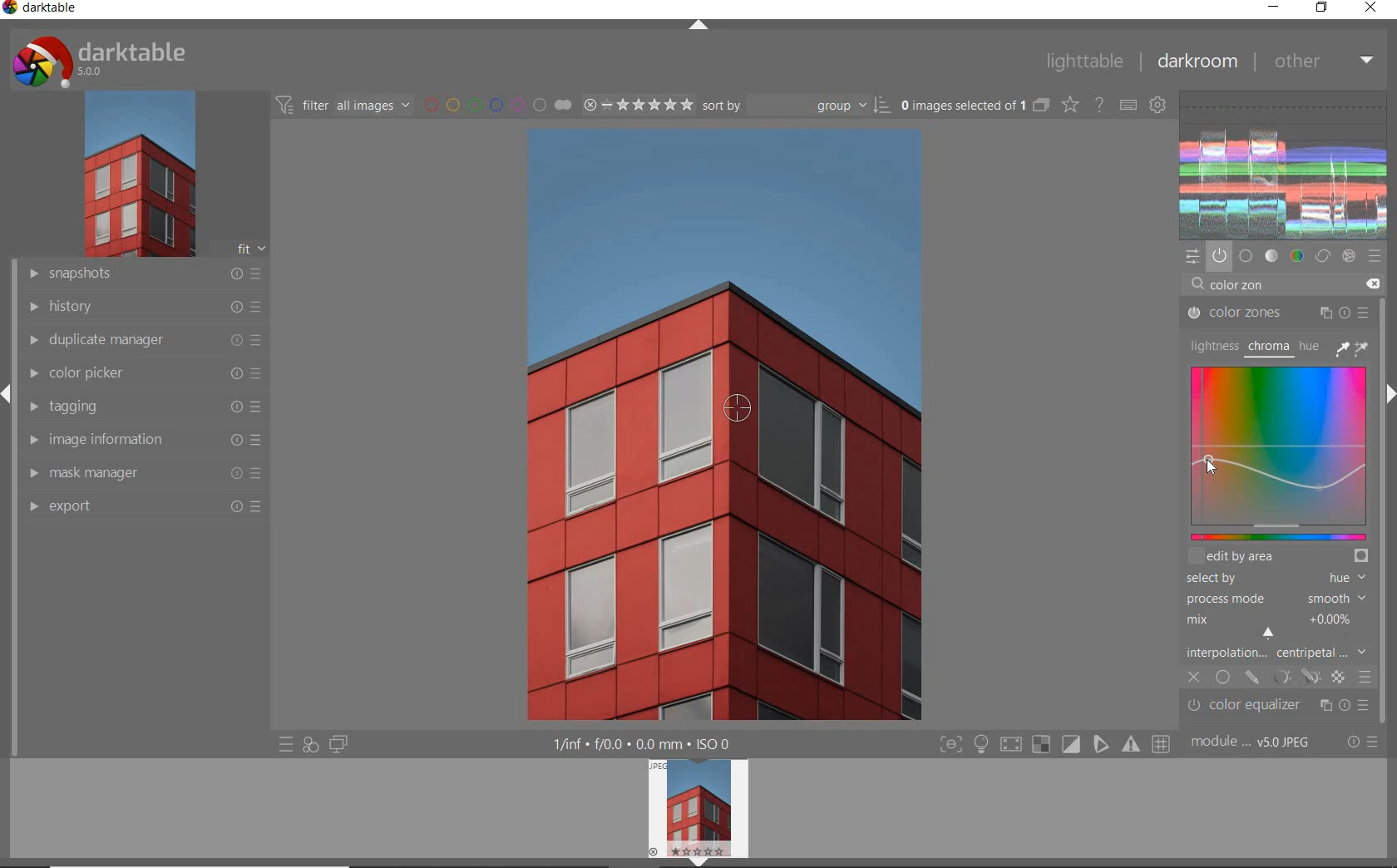 Image resolution: width=1397 pixels, height=868 pixels. I want to click on color equalizer, so click(1286, 708).